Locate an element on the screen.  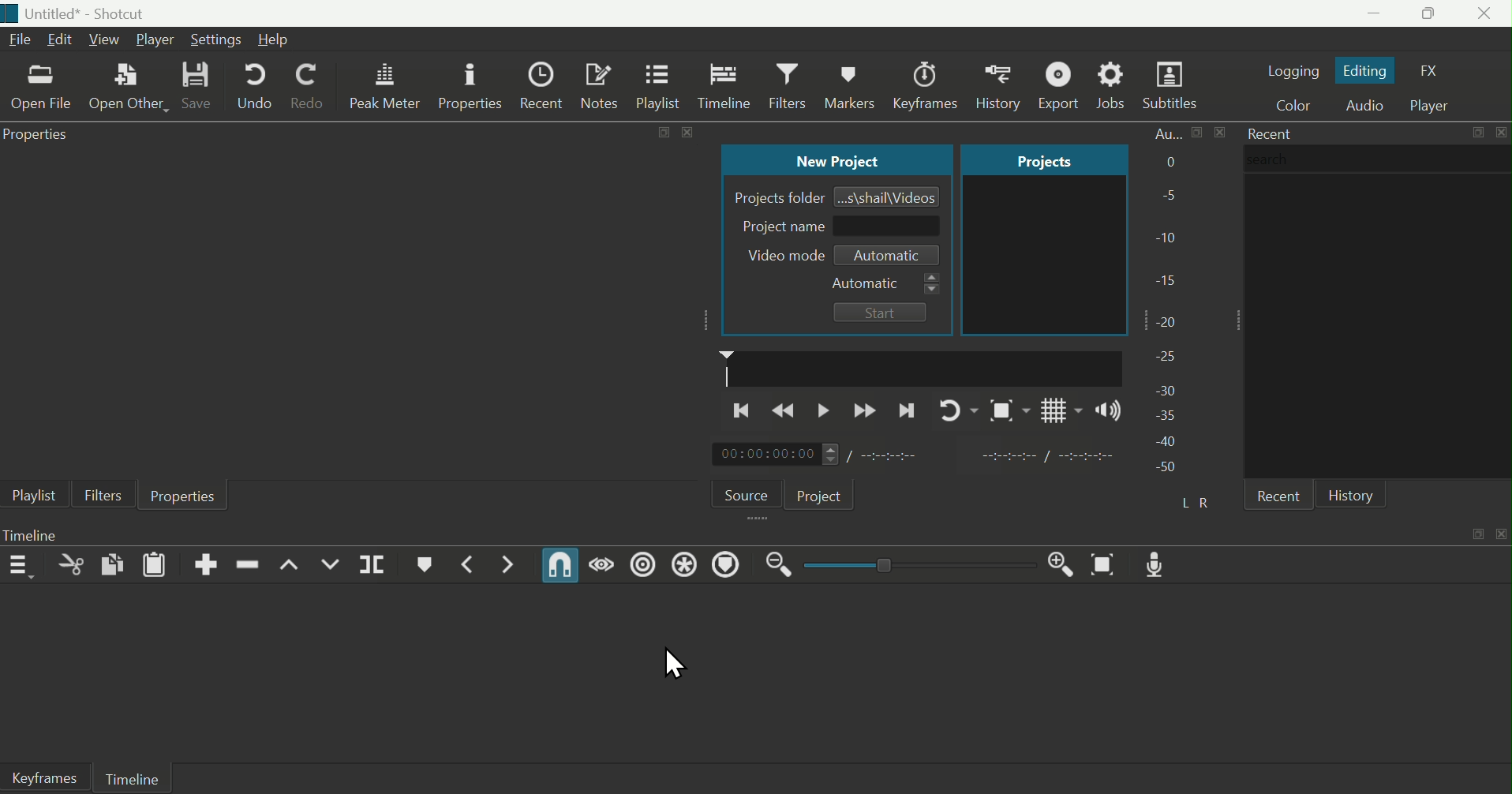
close is located at coordinates (1500, 534).